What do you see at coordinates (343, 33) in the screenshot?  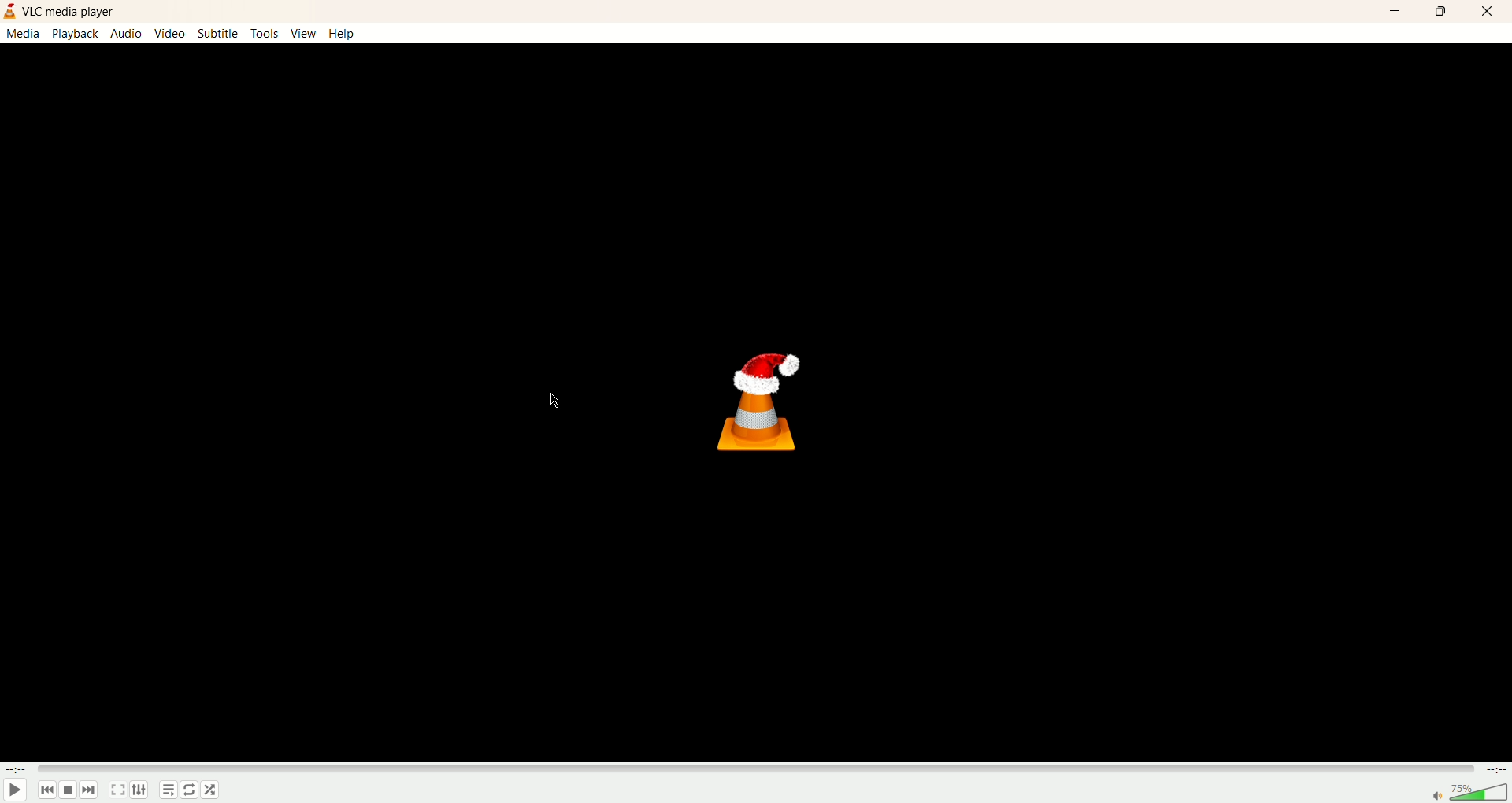 I see `Help` at bounding box center [343, 33].